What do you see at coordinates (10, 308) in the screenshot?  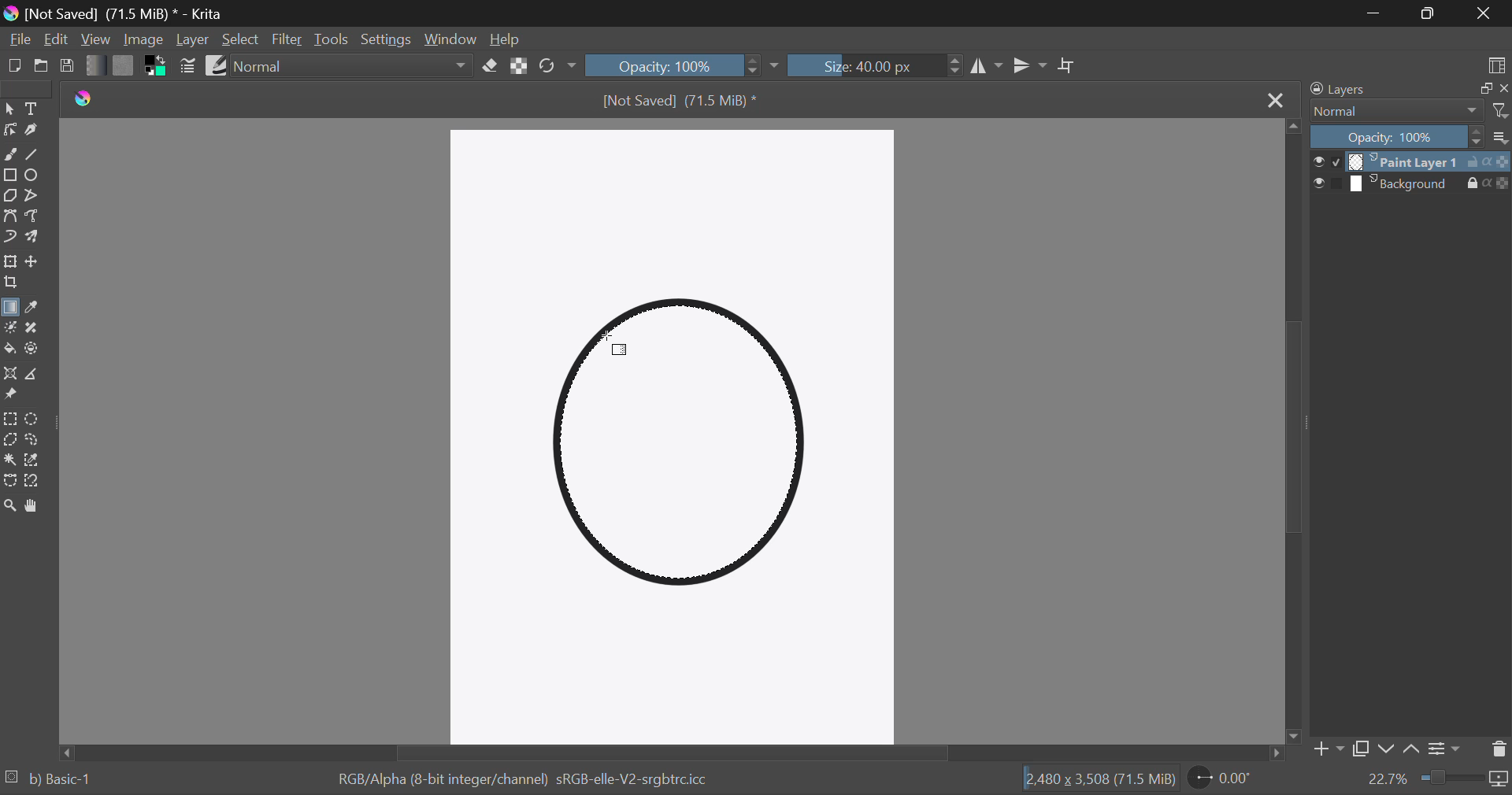 I see `Gradient Fill` at bounding box center [10, 308].